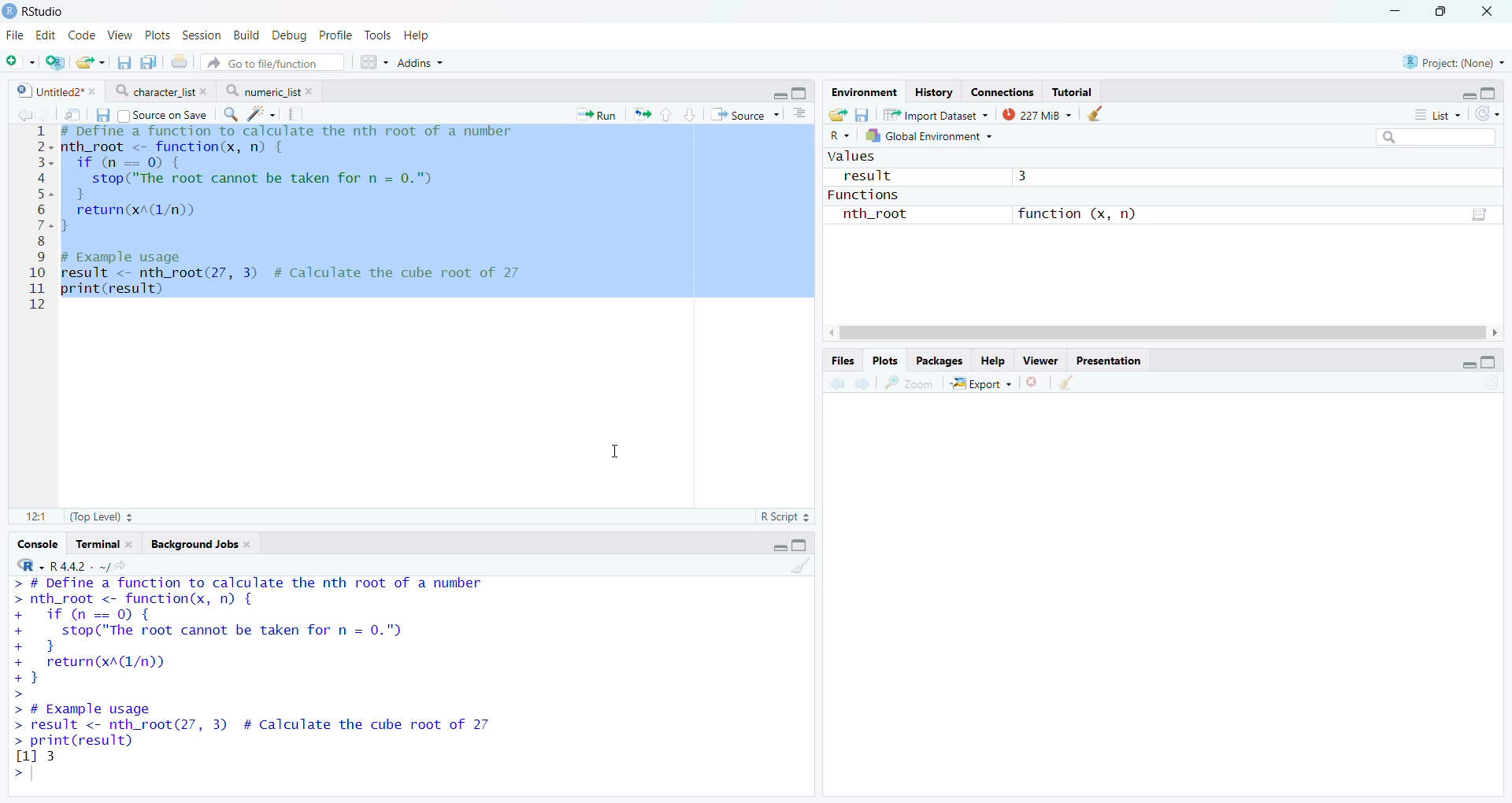  What do you see at coordinates (43, 116) in the screenshot?
I see `Go to next source location` at bounding box center [43, 116].